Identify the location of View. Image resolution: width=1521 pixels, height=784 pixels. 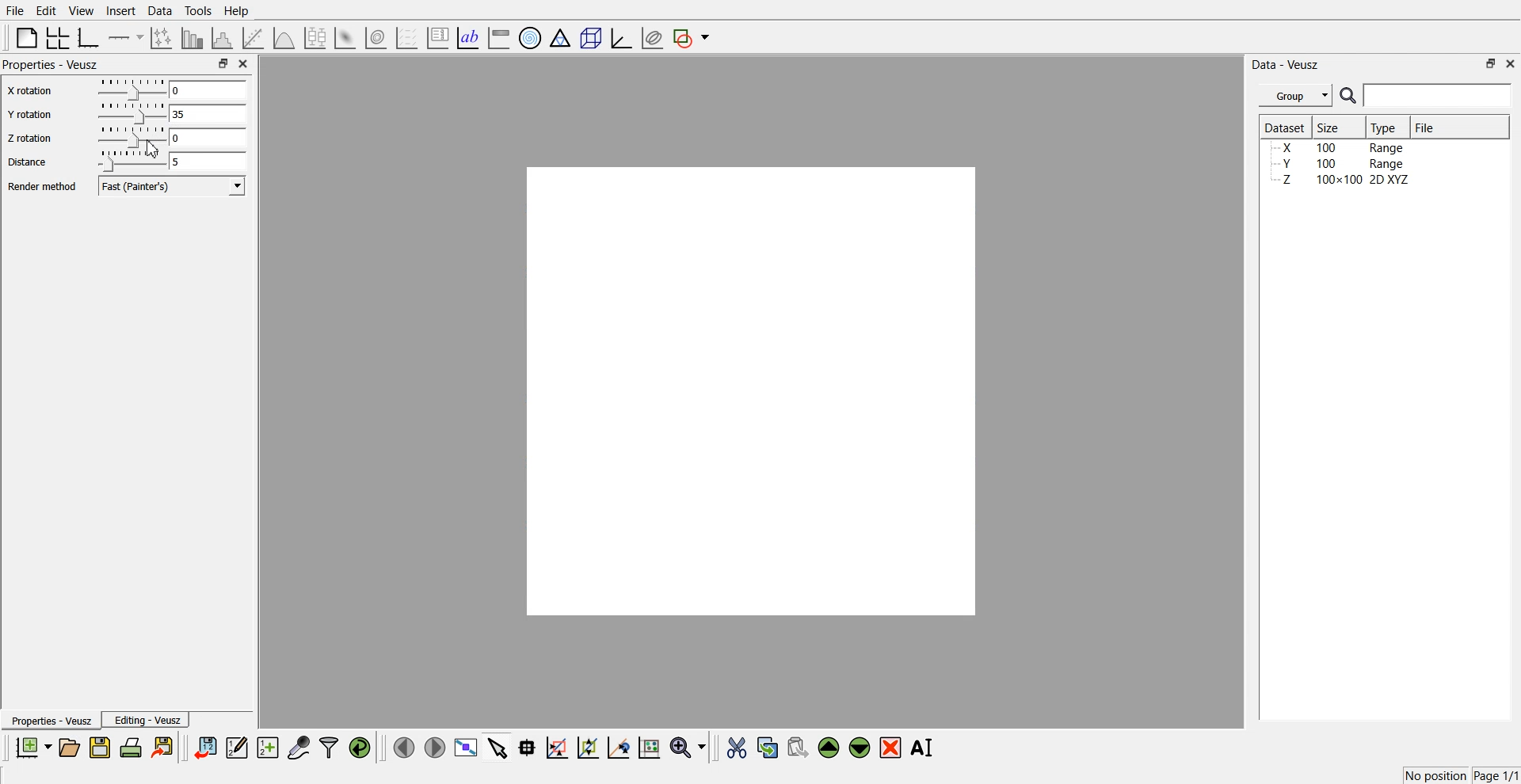
(82, 11).